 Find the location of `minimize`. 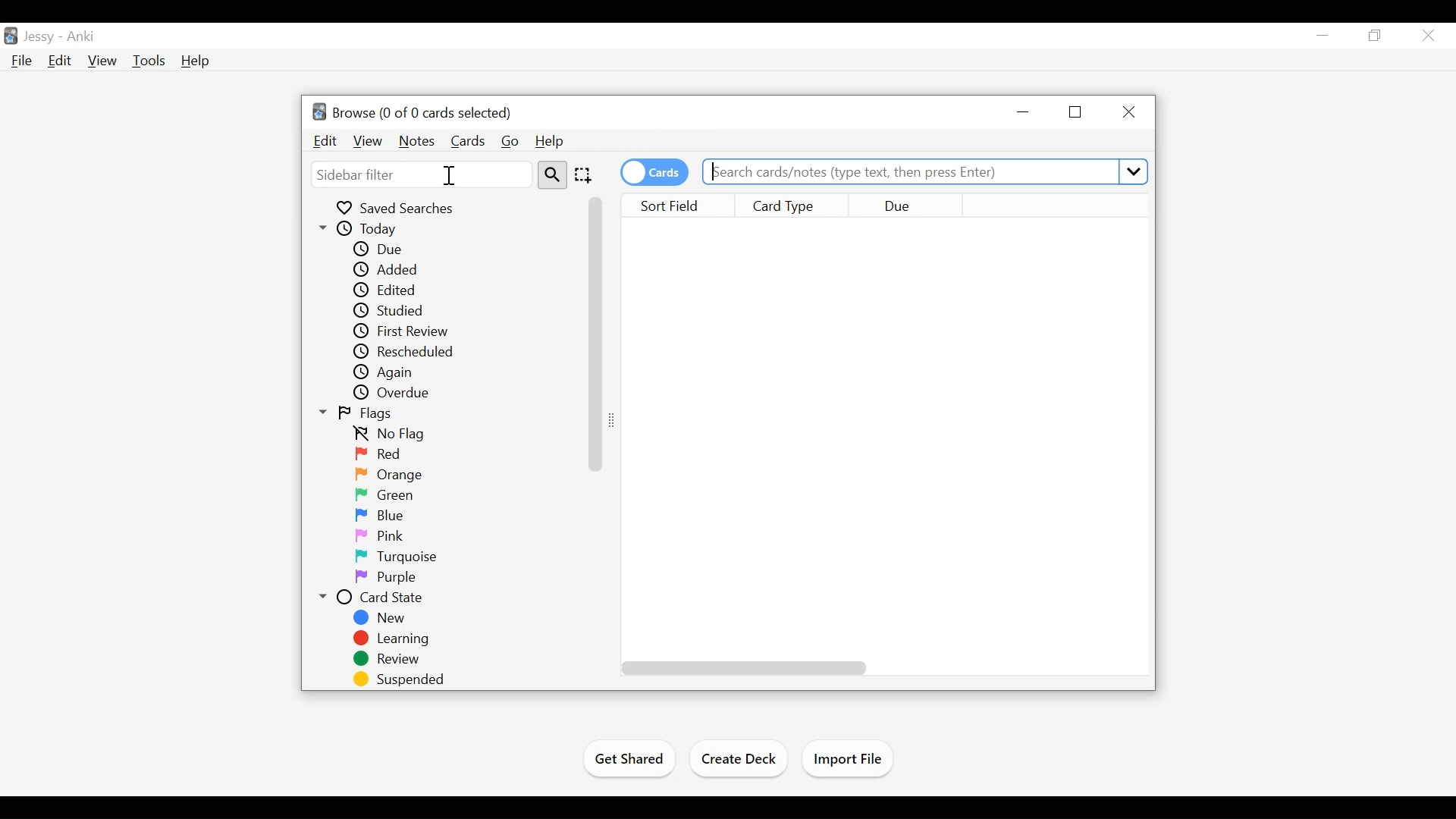

minimize is located at coordinates (1025, 111).